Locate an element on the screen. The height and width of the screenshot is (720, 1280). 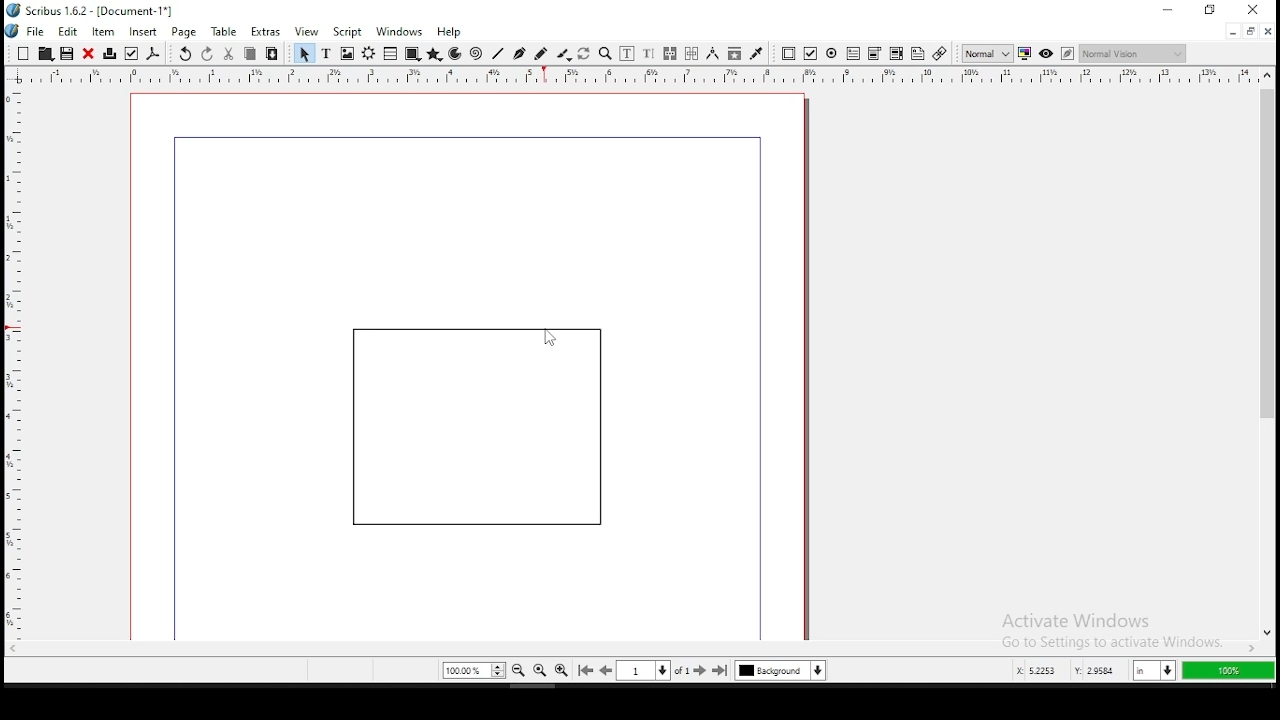
paste is located at coordinates (271, 54).